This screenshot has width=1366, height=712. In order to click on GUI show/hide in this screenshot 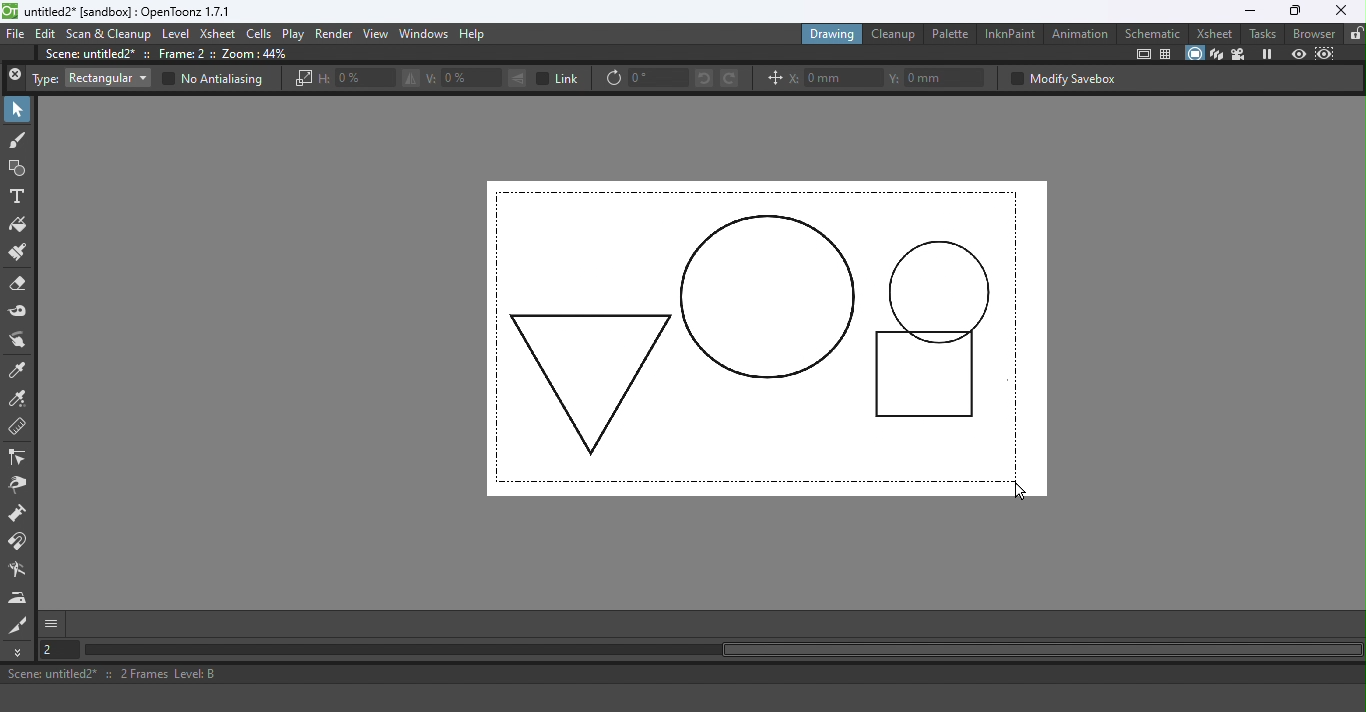, I will do `click(53, 624)`.